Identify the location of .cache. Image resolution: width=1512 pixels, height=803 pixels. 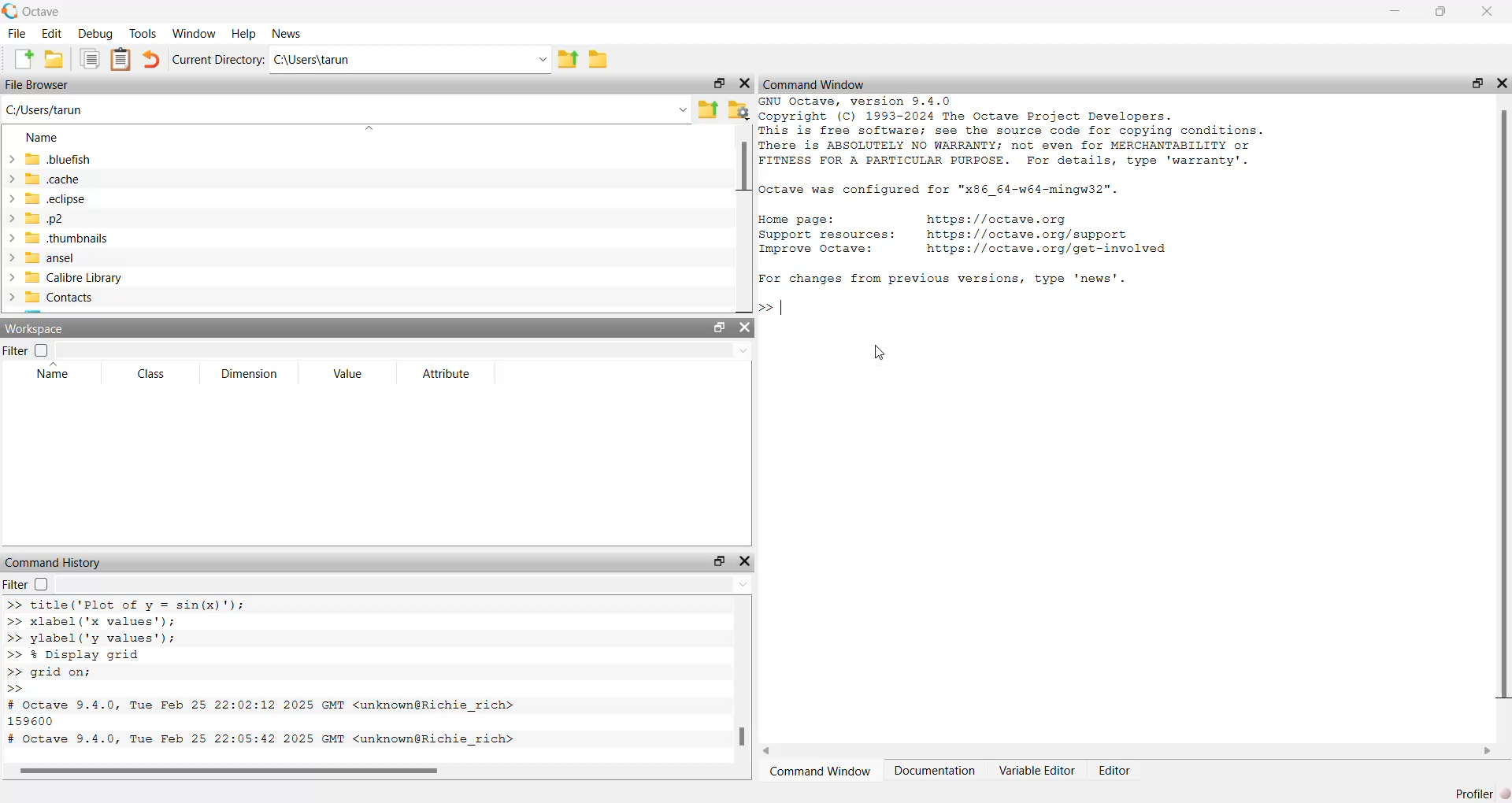
(51, 179).